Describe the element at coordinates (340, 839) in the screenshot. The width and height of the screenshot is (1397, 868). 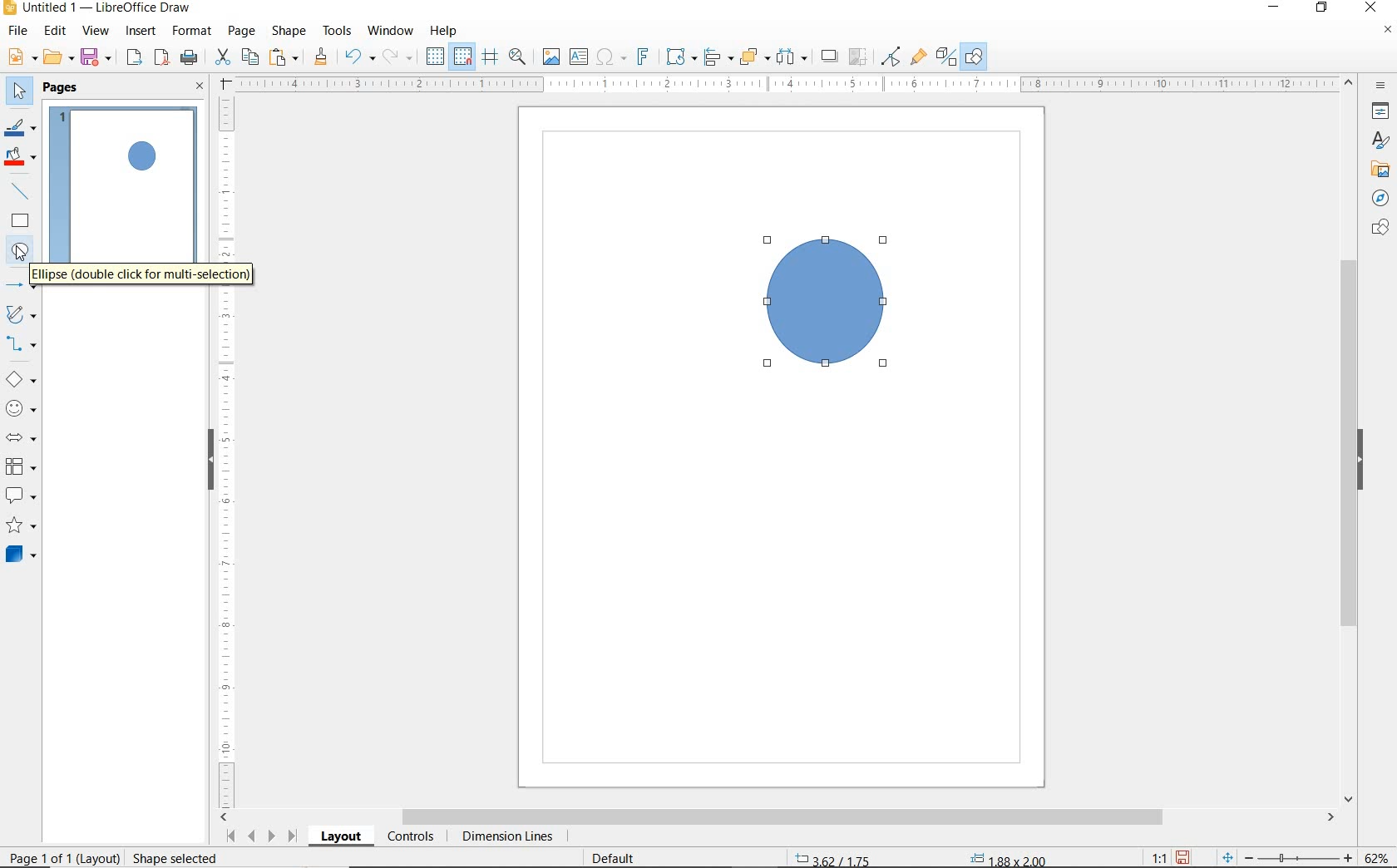
I see `LAYOUT` at that location.